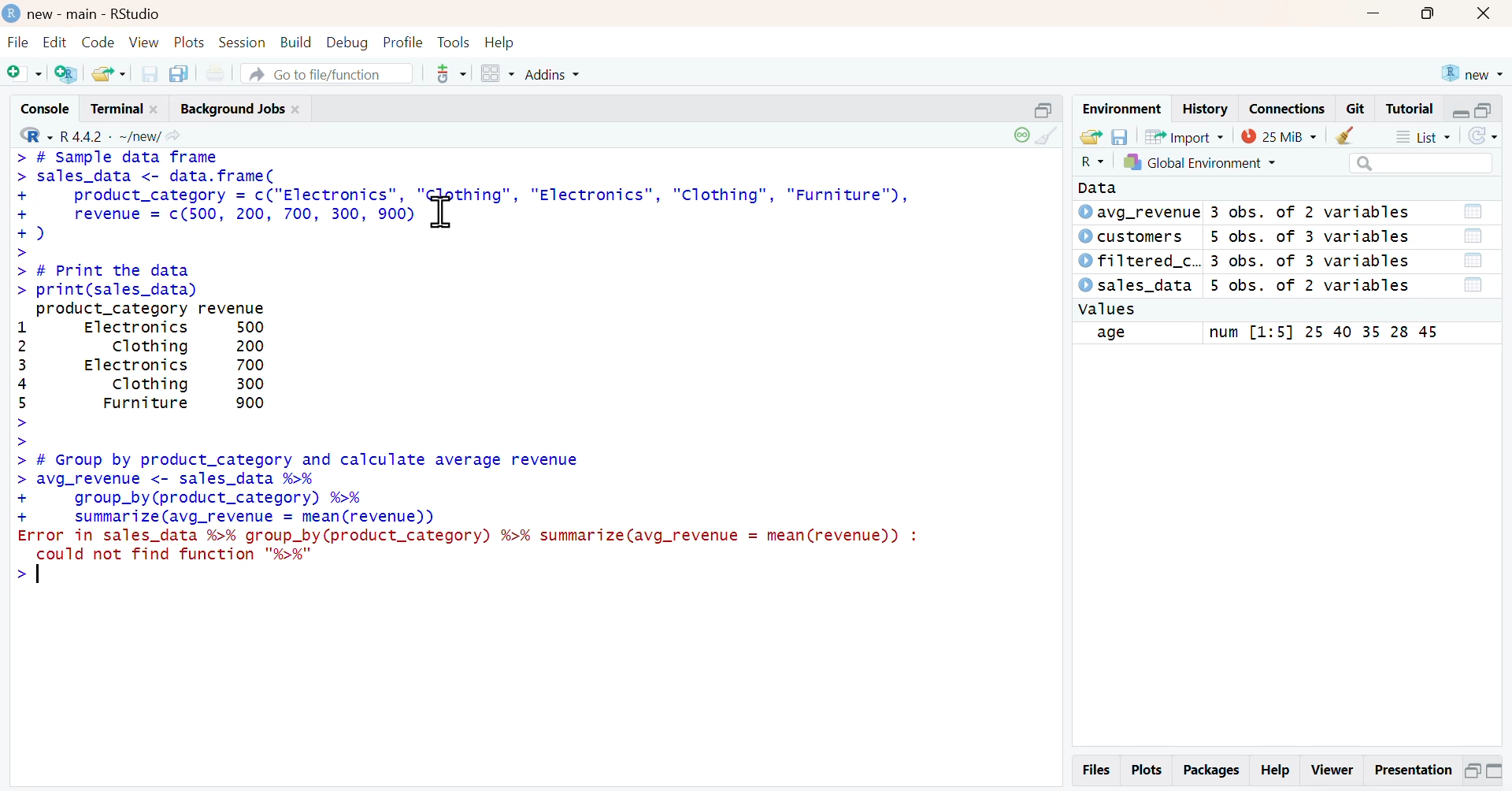 Image resolution: width=1512 pixels, height=791 pixels. I want to click on Code, so click(98, 43).